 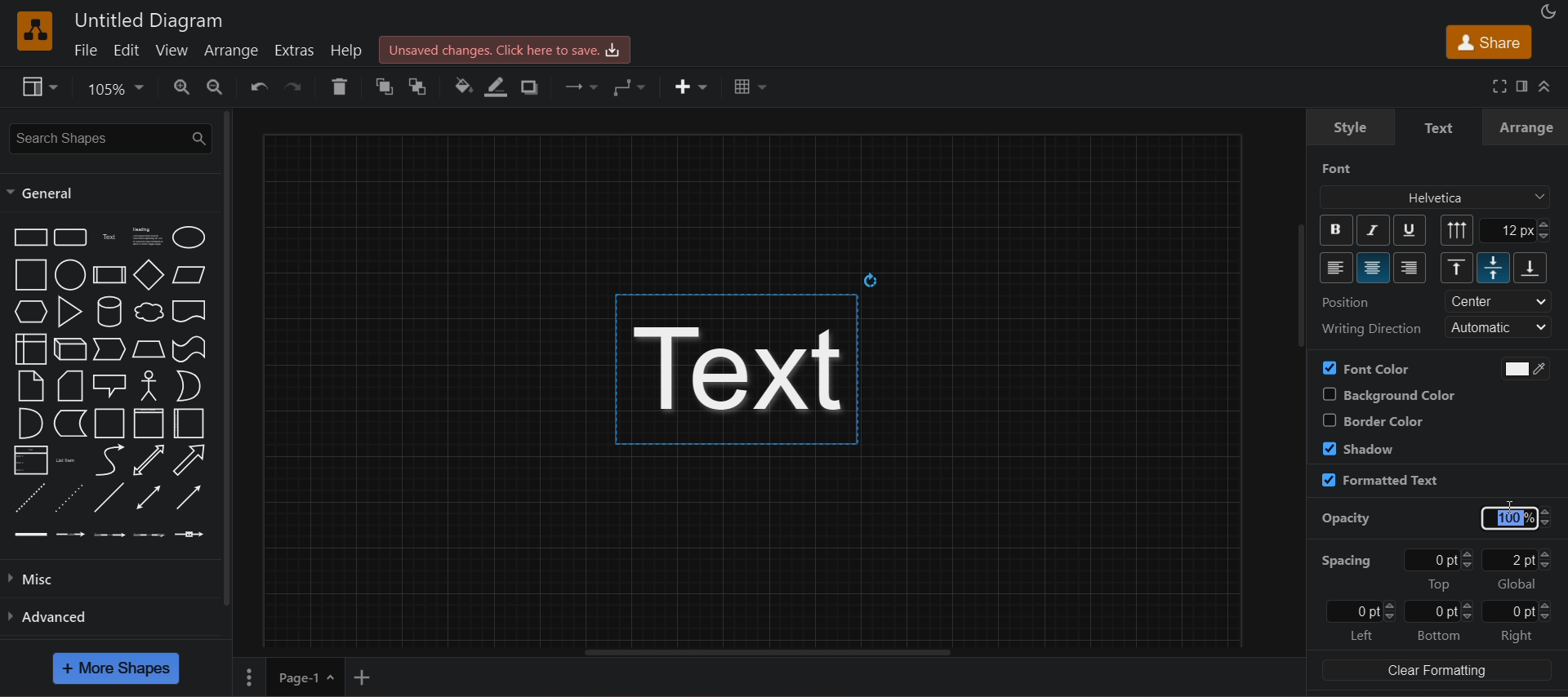 What do you see at coordinates (189, 311) in the screenshot?
I see `document` at bounding box center [189, 311].